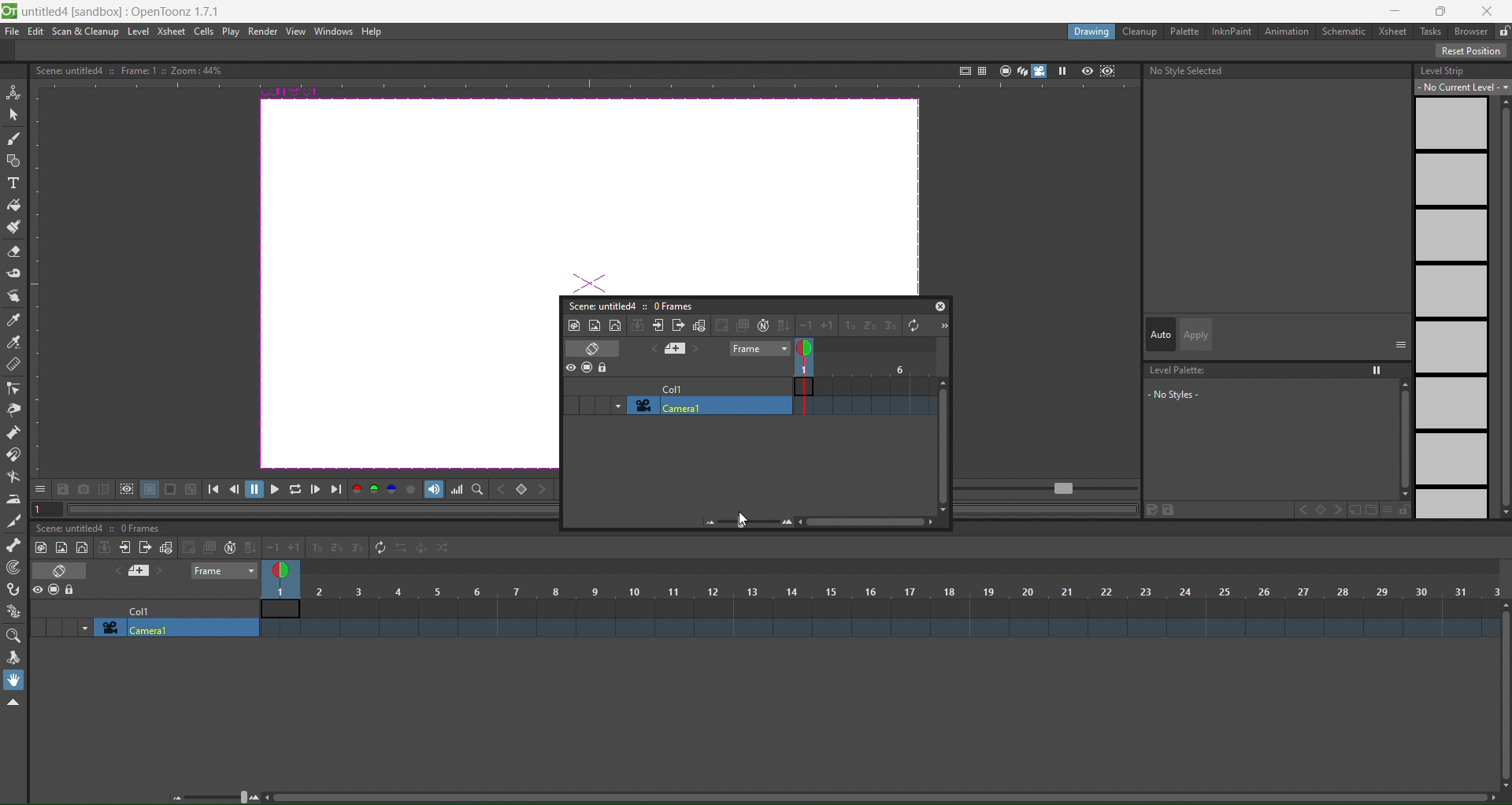  What do you see at coordinates (1290, 32) in the screenshot?
I see `animation` at bounding box center [1290, 32].